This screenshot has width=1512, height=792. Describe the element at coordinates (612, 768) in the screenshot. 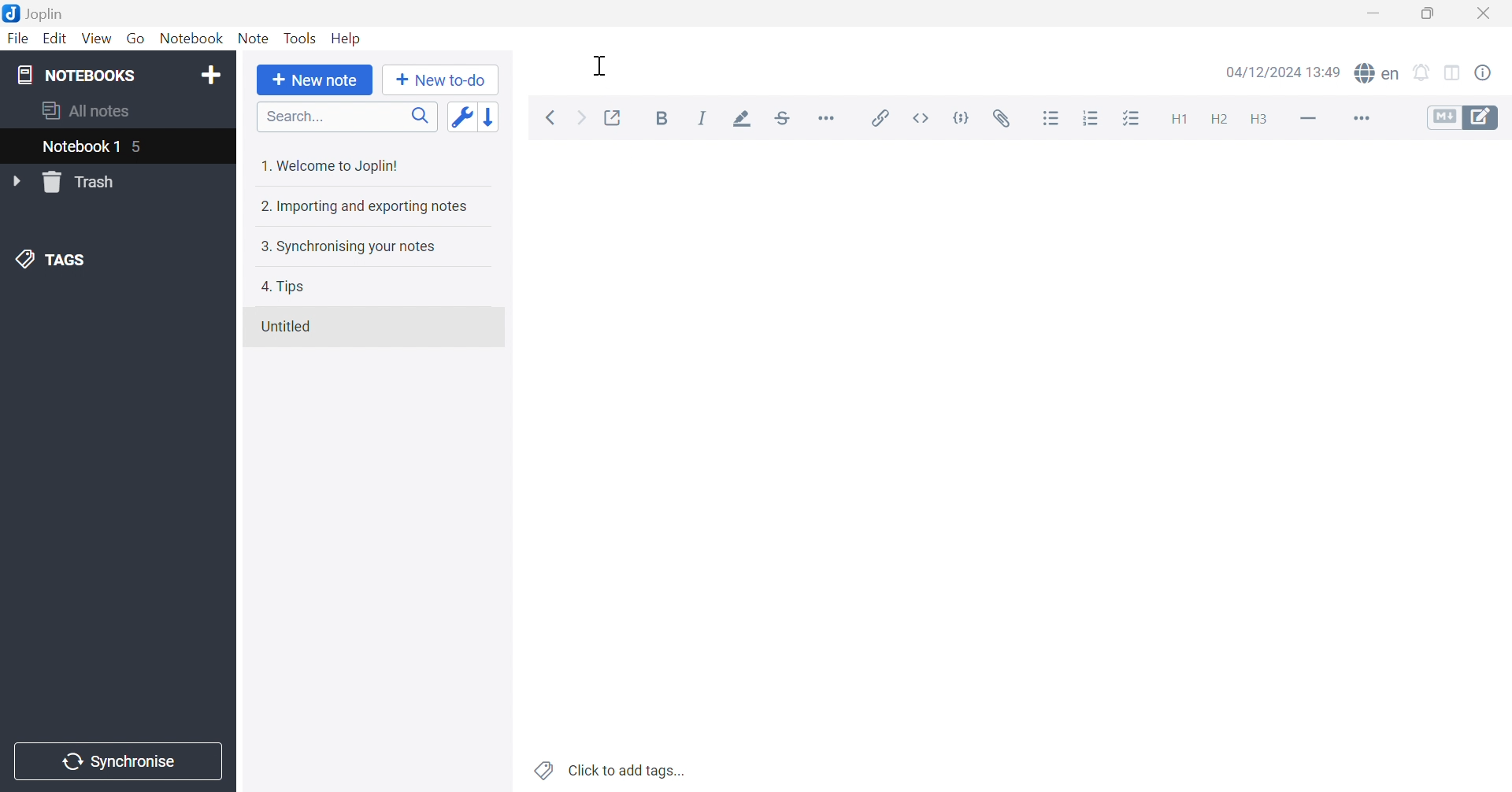

I see `Click to add notes...` at that location.